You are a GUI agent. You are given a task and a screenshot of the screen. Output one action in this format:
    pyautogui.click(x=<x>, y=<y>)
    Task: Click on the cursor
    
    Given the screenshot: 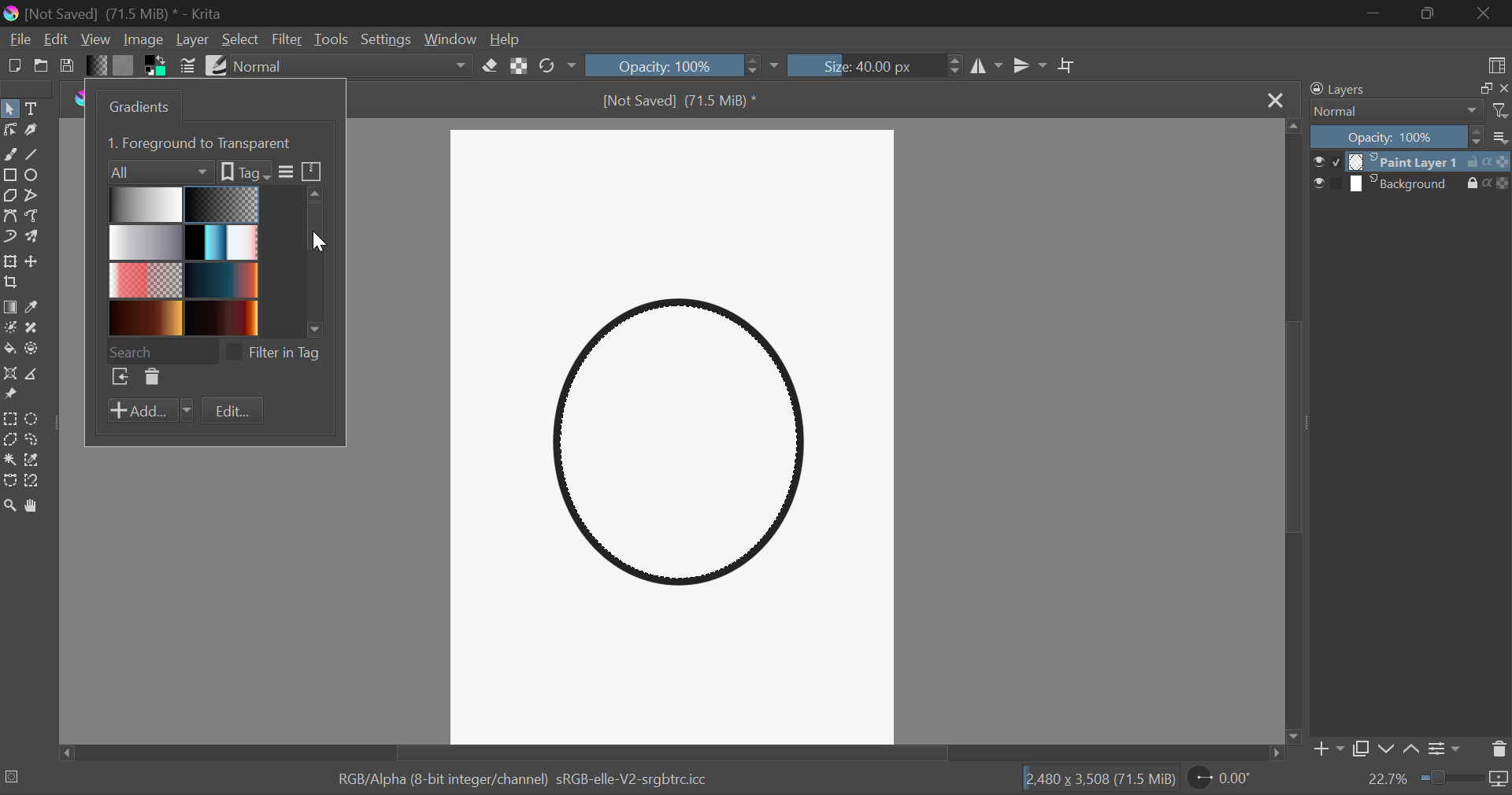 What is the action you would take?
    pyautogui.click(x=324, y=243)
    